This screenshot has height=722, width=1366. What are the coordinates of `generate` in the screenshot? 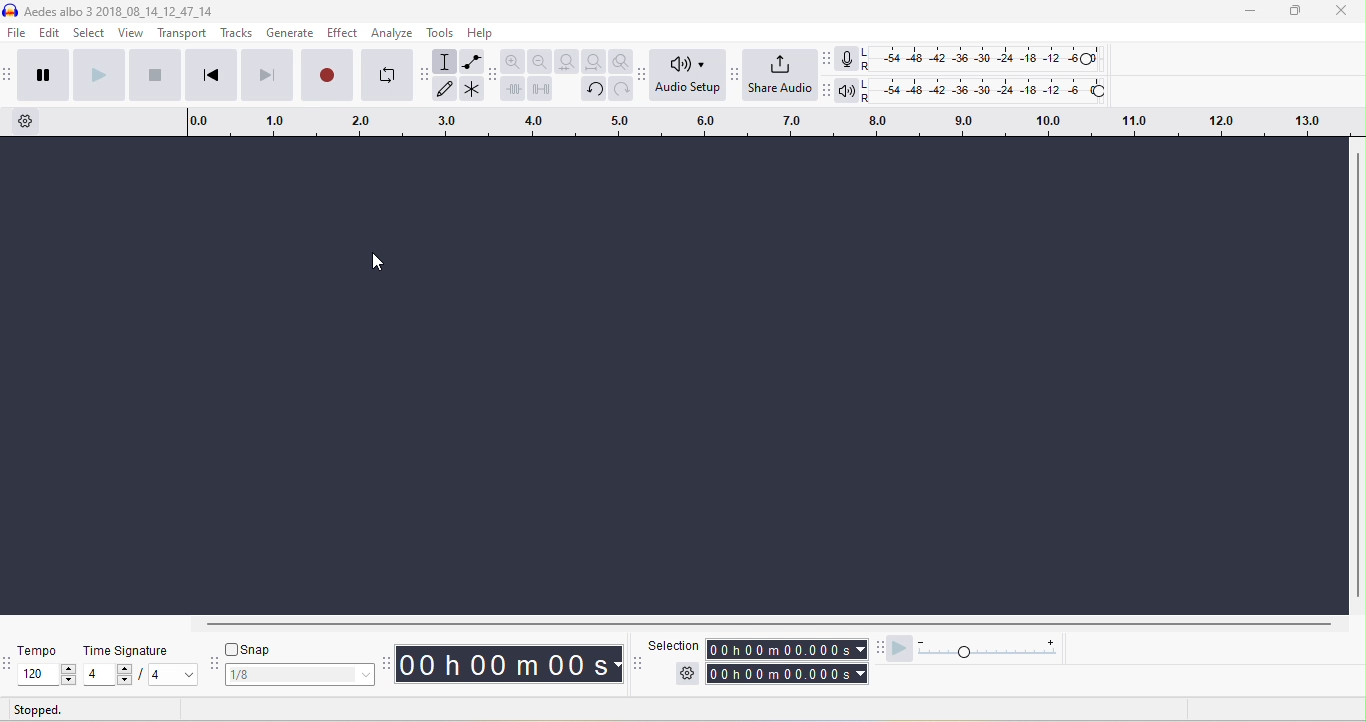 It's located at (291, 34).